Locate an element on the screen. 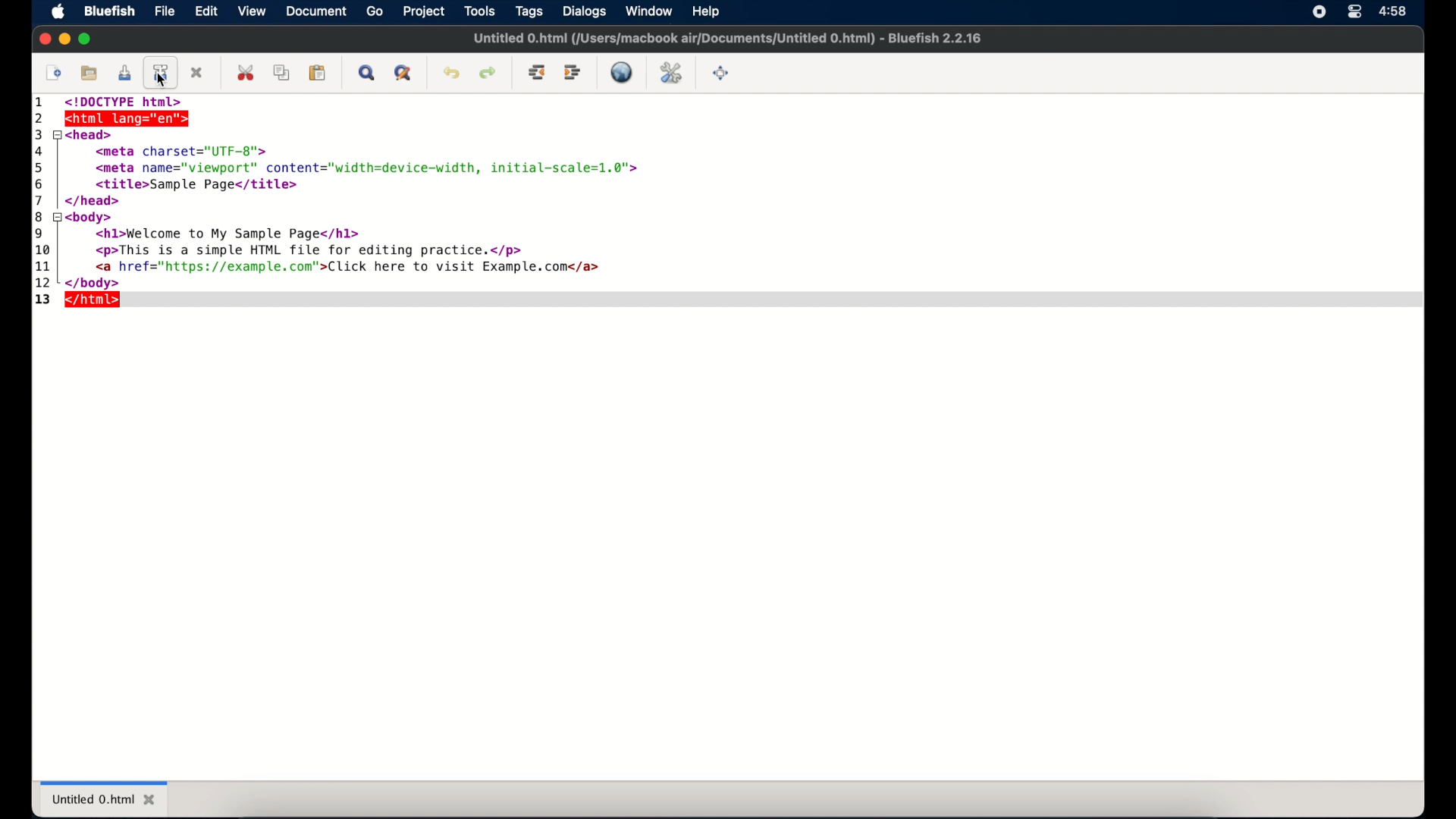  cursor is located at coordinates (160, 81).